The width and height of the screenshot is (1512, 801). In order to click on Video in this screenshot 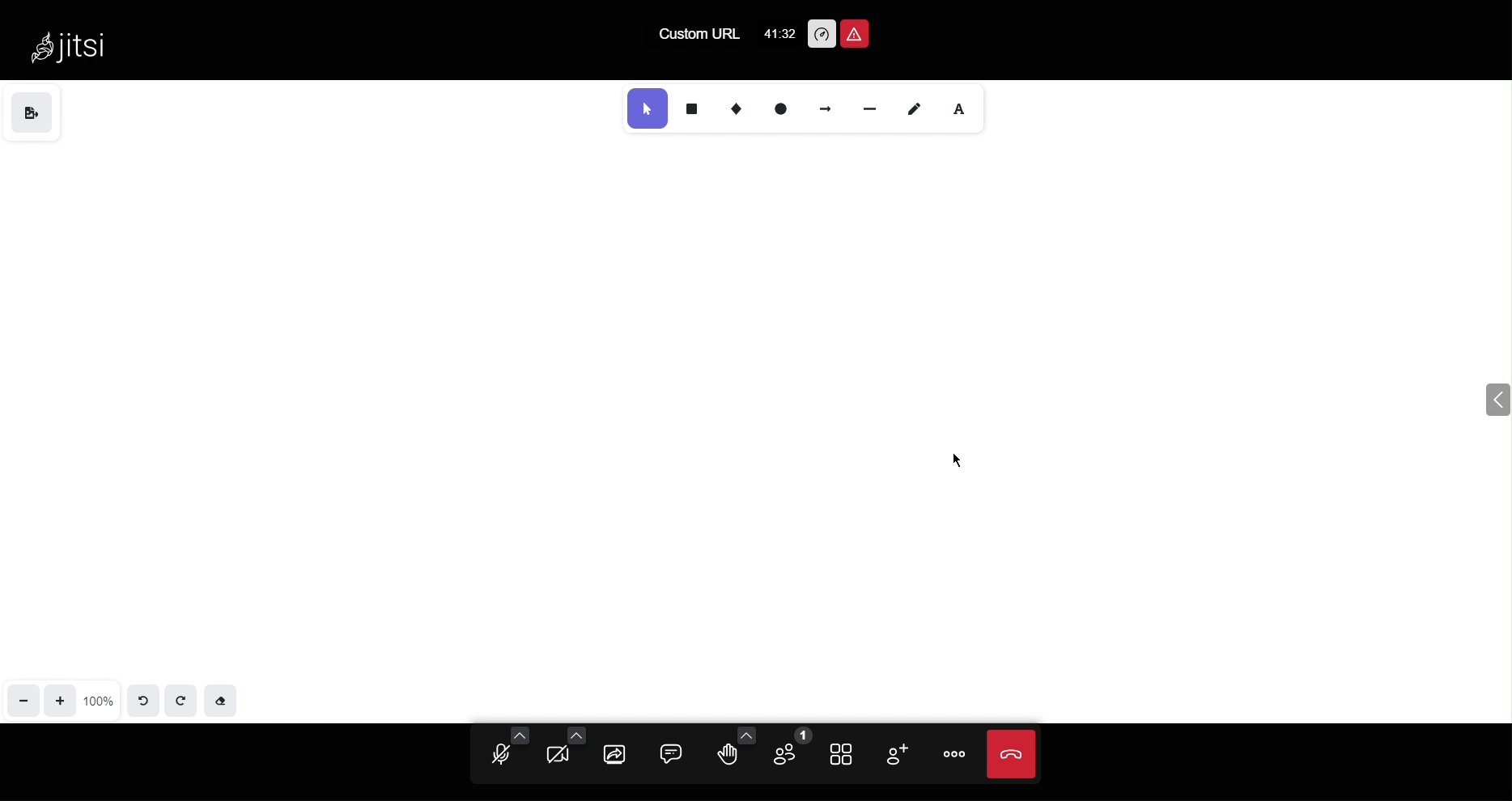, I will do `click(563, 752)`.